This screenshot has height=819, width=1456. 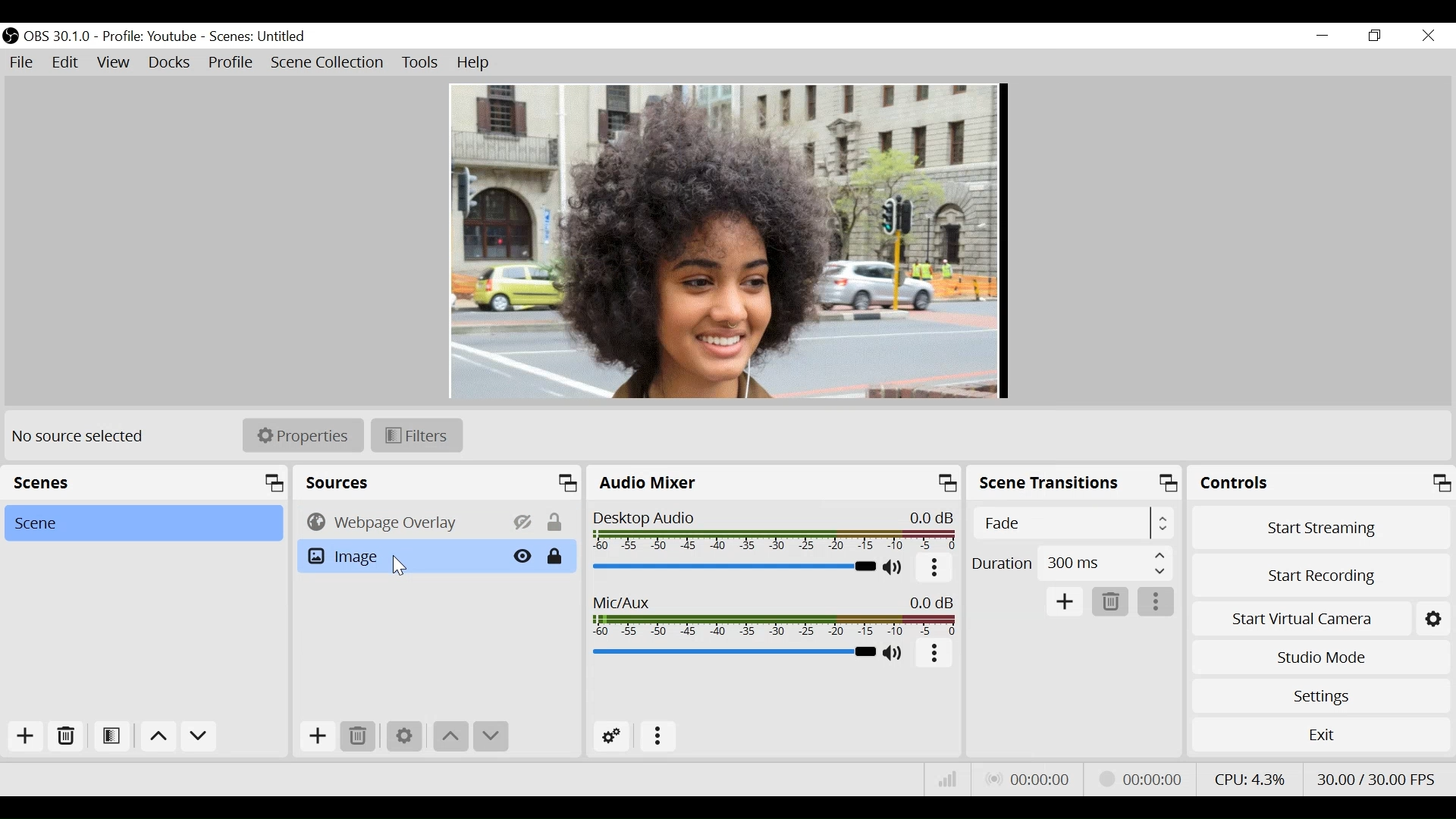 What do you see at coordinates (1432, 620) in the screenshot?
I see `Settings` at bounding box center [1432, 620].